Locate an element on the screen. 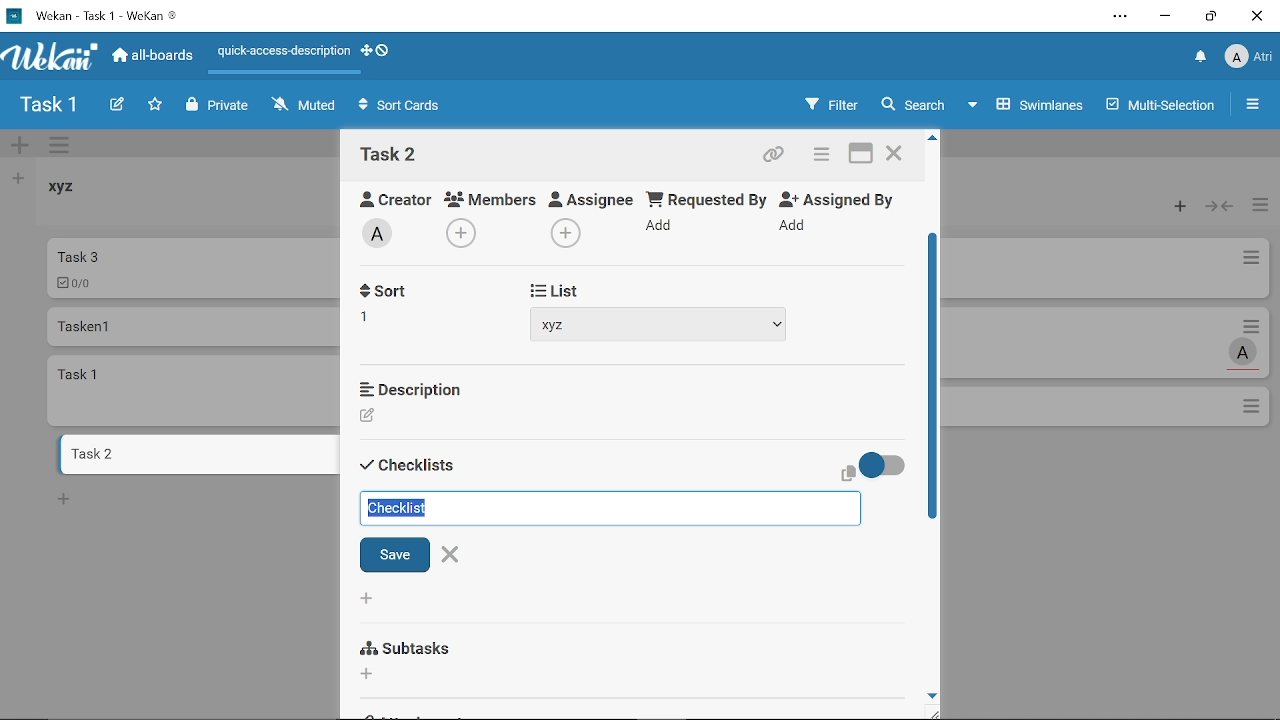  Add list is located at coordinates (16, 178).